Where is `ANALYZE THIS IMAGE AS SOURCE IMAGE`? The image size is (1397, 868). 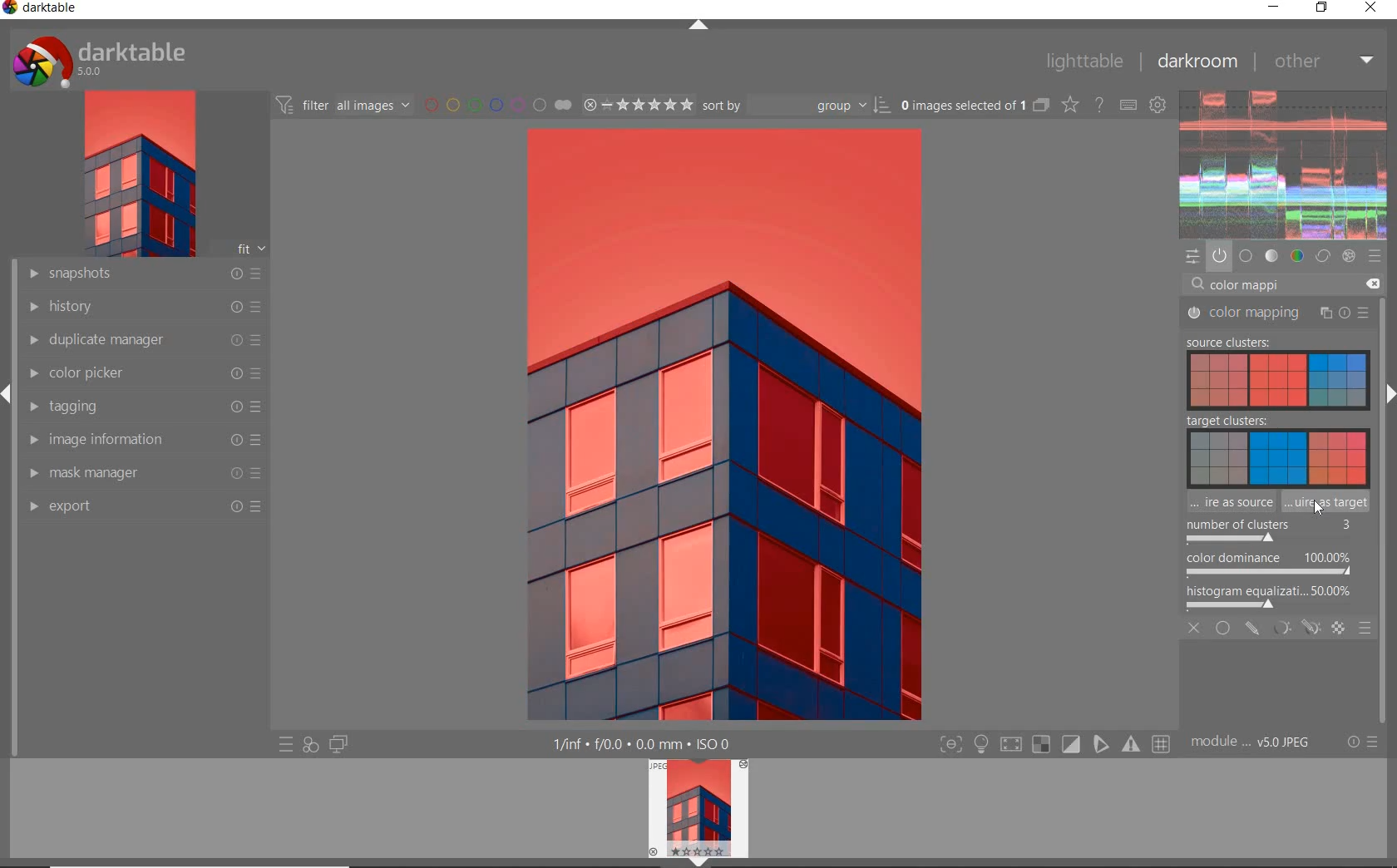 ANALYZE THIS IMAGE AS SOURCE IMAGE is located at coordinates (1230, 530).